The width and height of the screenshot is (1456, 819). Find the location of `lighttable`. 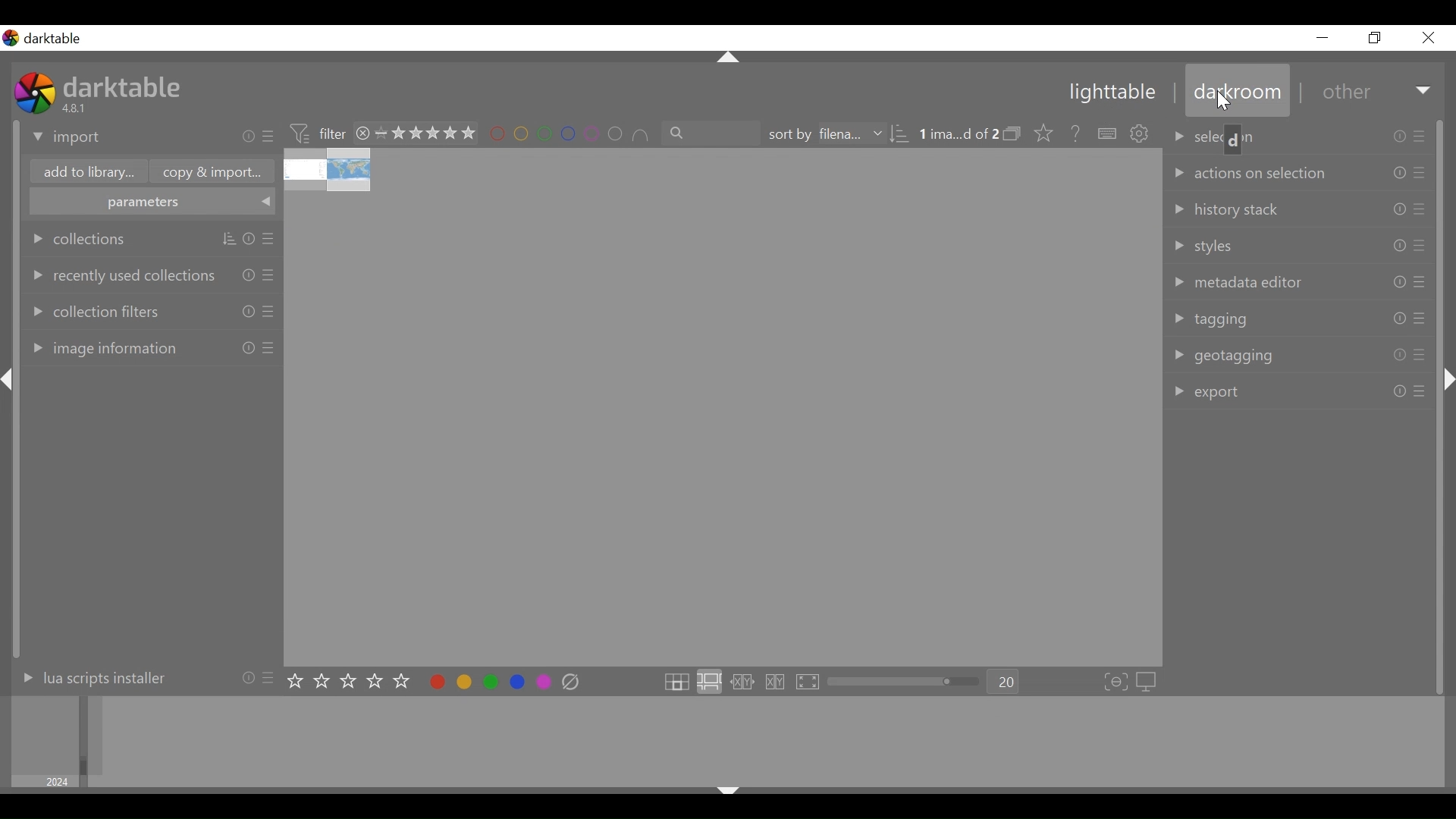

lighttable is located at coordinates (1113, 93).